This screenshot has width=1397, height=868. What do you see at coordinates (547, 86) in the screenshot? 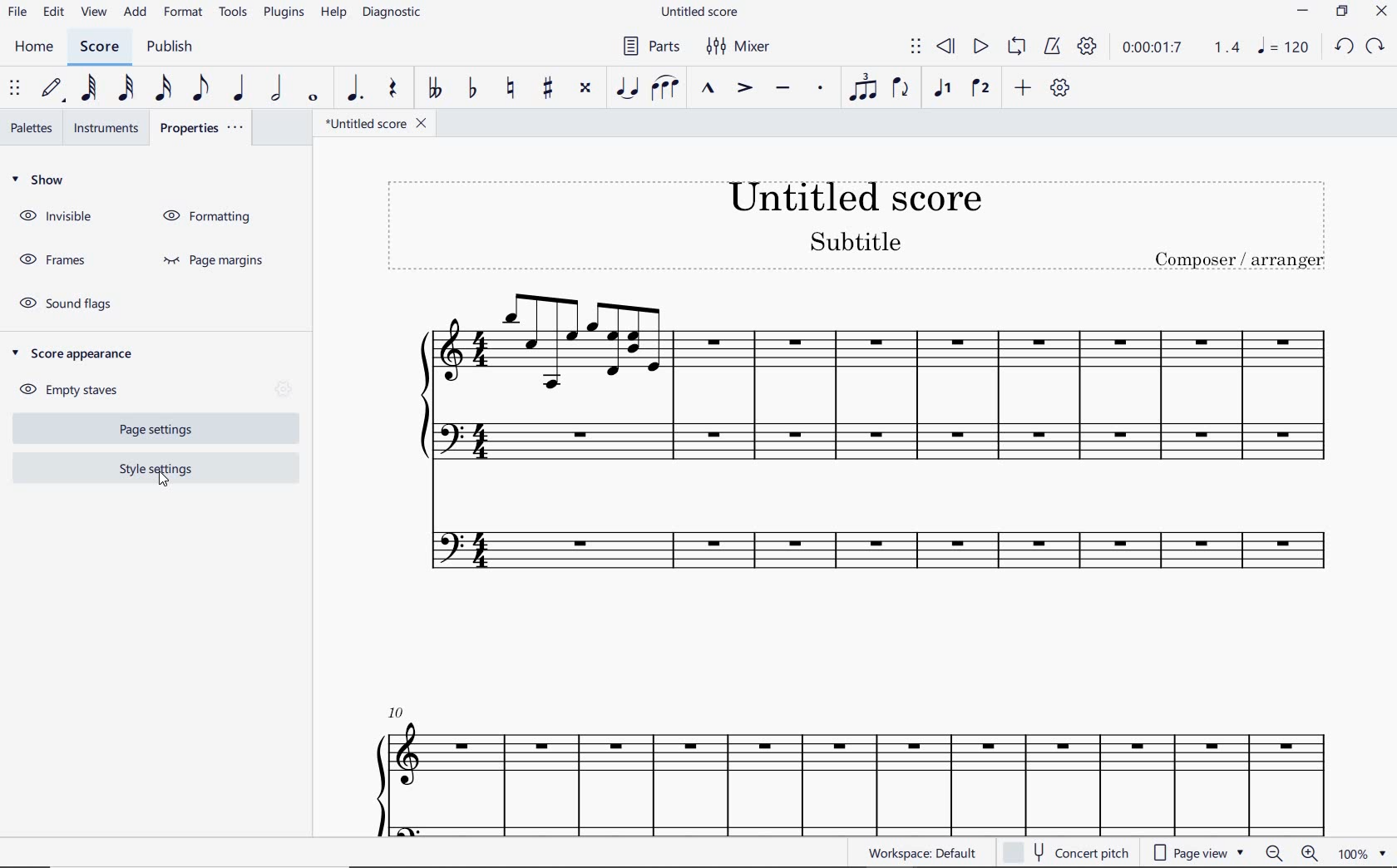
I see `TOGGLE SHARP` at bounding box center [547, 86].